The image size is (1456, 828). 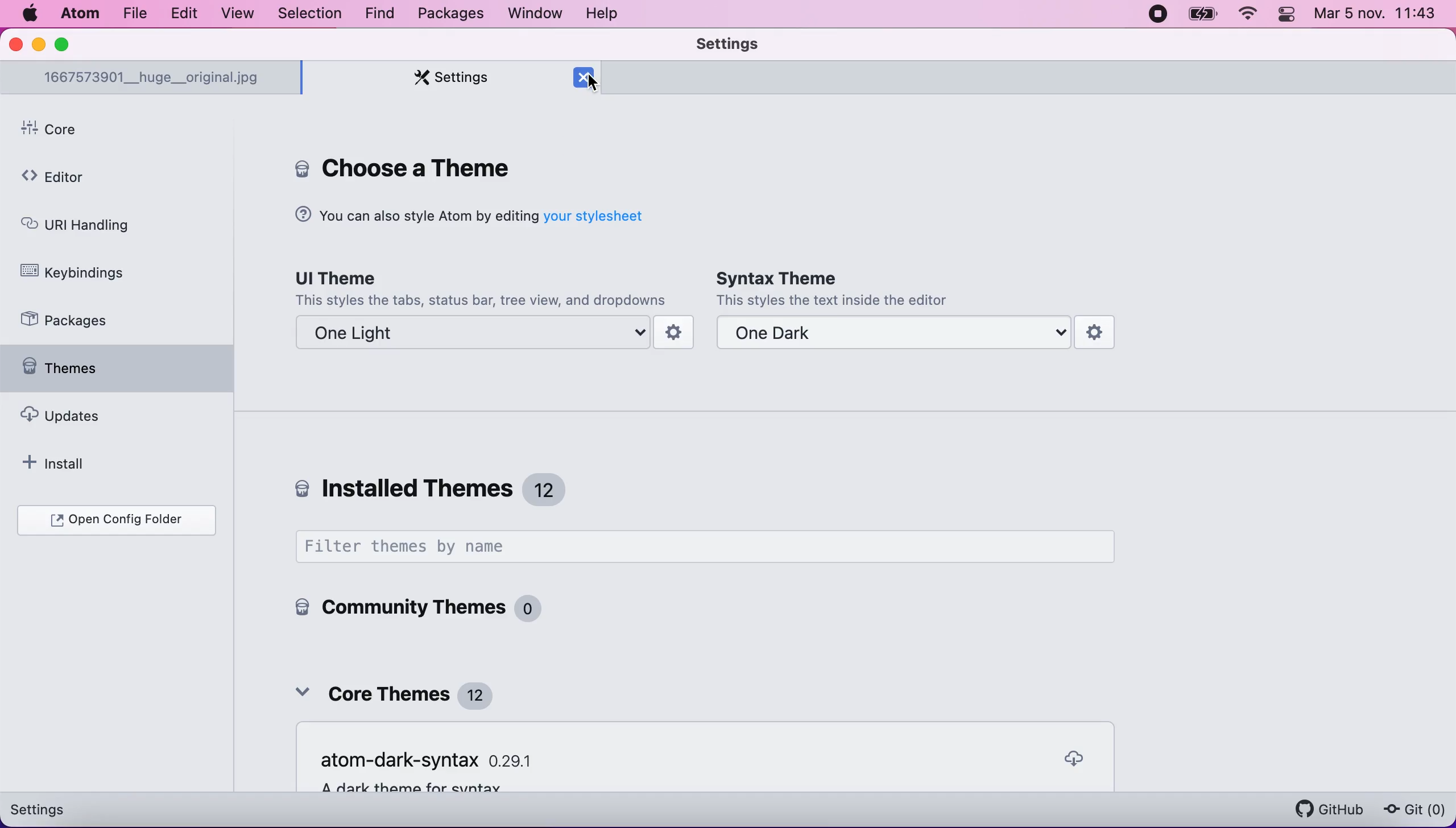 What do you see at coordinates (377, 13) in the screenshot?
I see `find` at bounding box center [377, 13].